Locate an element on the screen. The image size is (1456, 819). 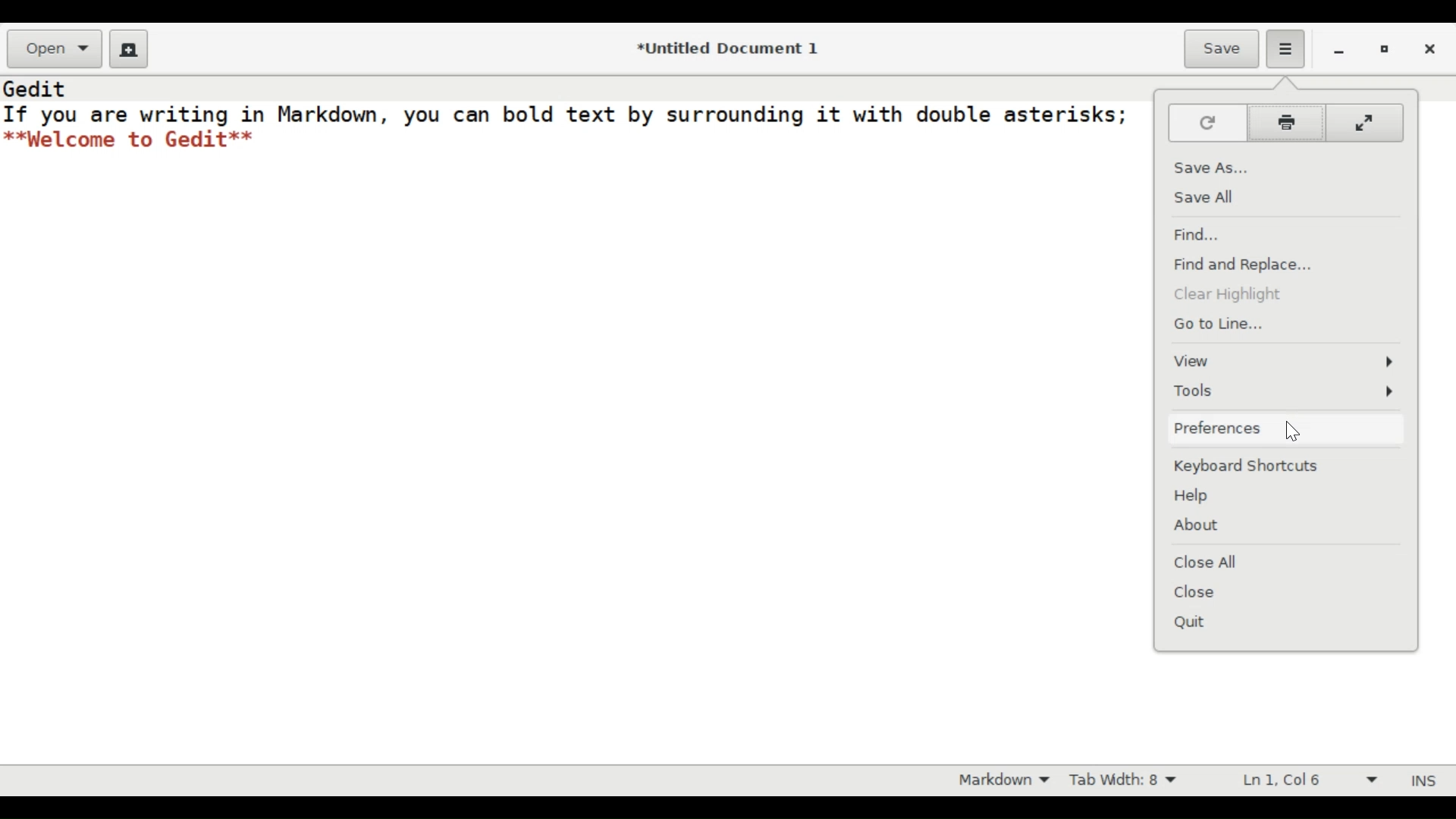
Help is located at coordinates (1200, 496).